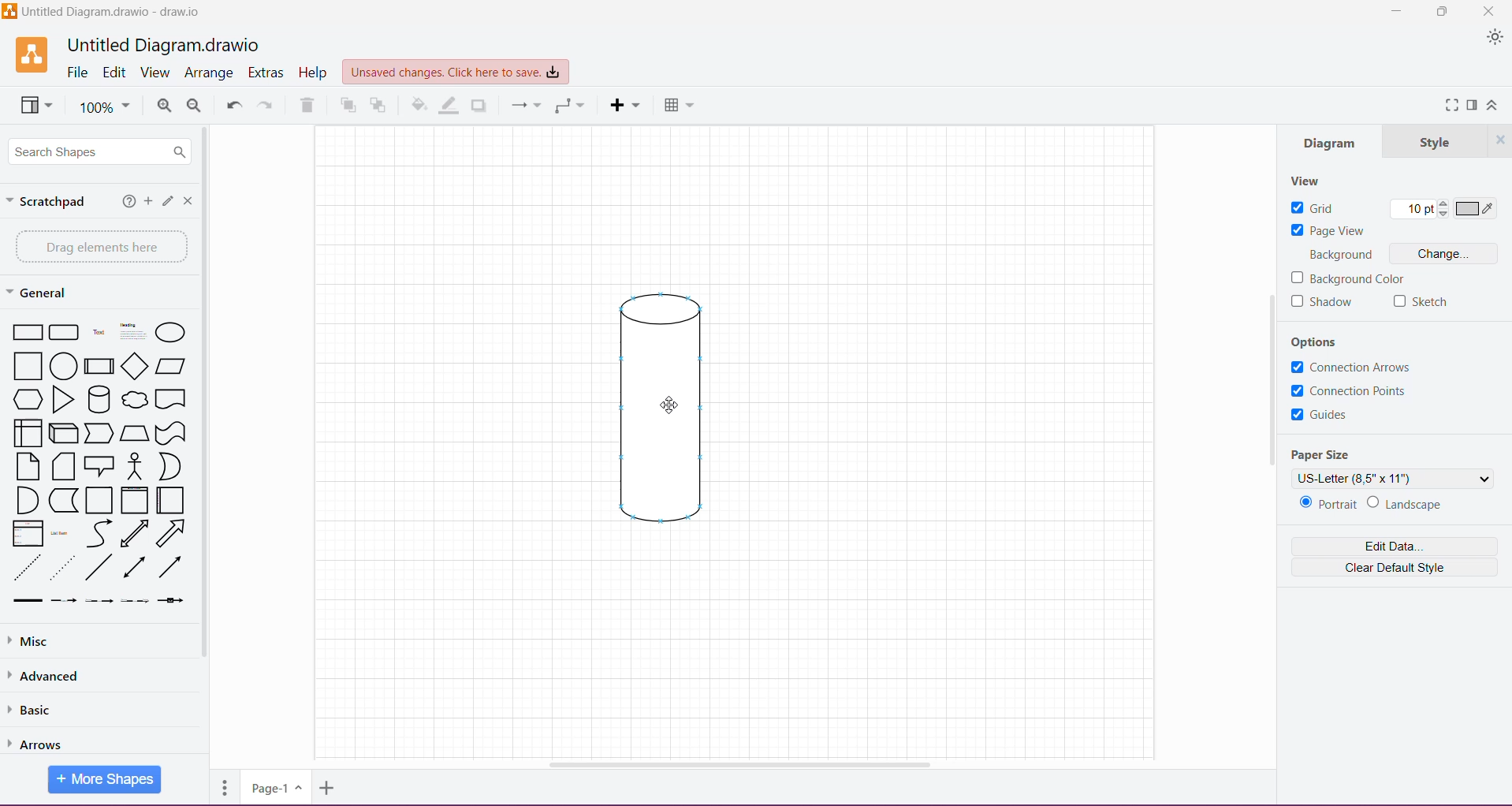 This screenshot has width=1512, height=806. I want to click on Help, so click(314, 73).